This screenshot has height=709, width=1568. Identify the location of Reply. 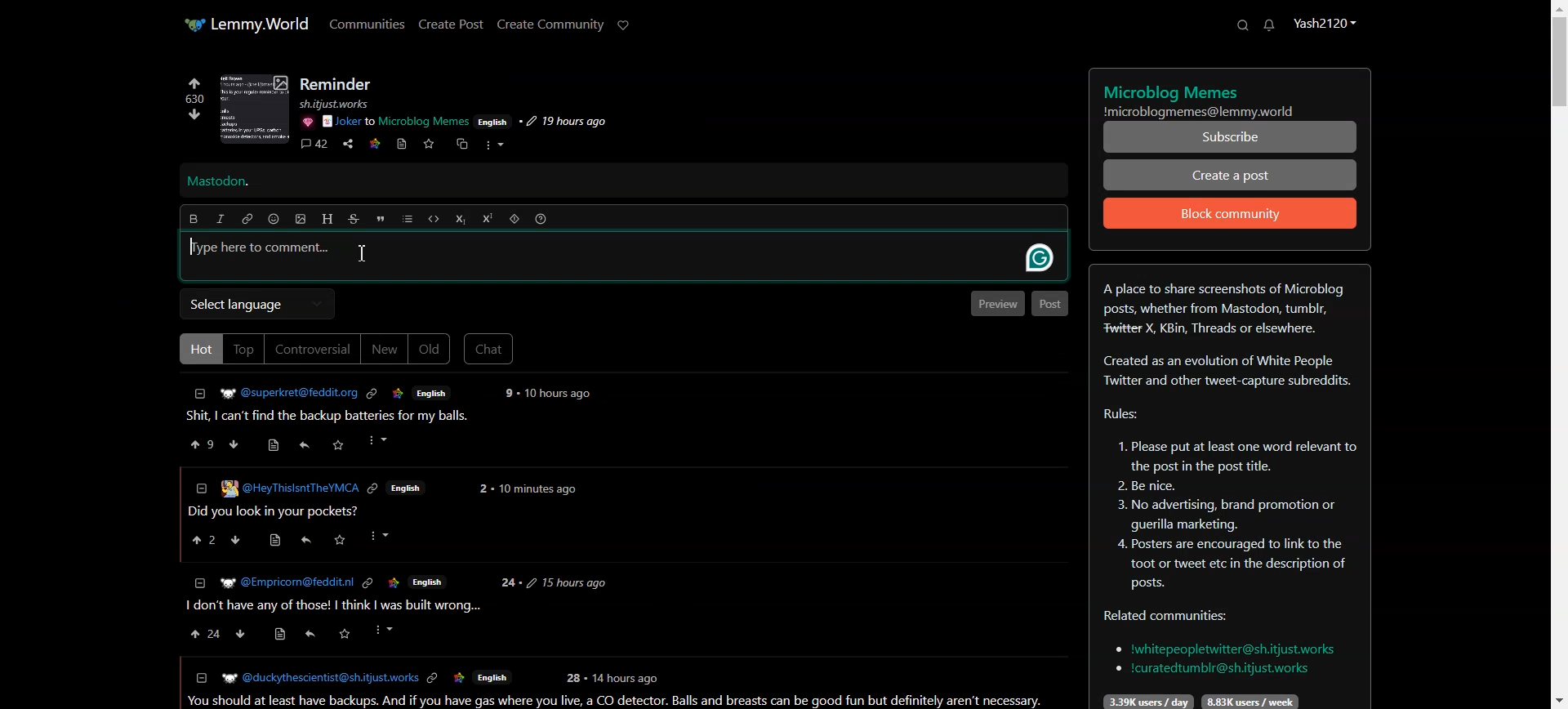
(305, 445).